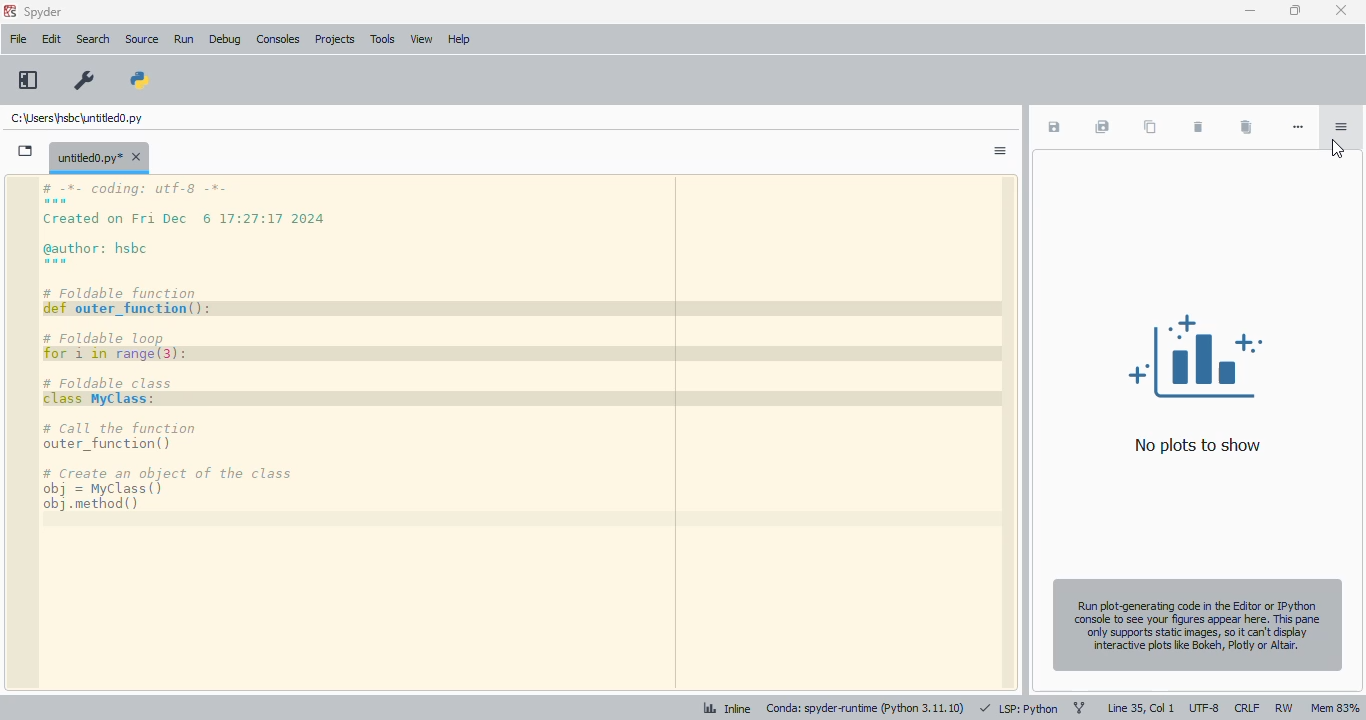  What do you see at coordinates (1295, 10) in the screenshot?
I see `maximize` at bounding box center [1295, 10].